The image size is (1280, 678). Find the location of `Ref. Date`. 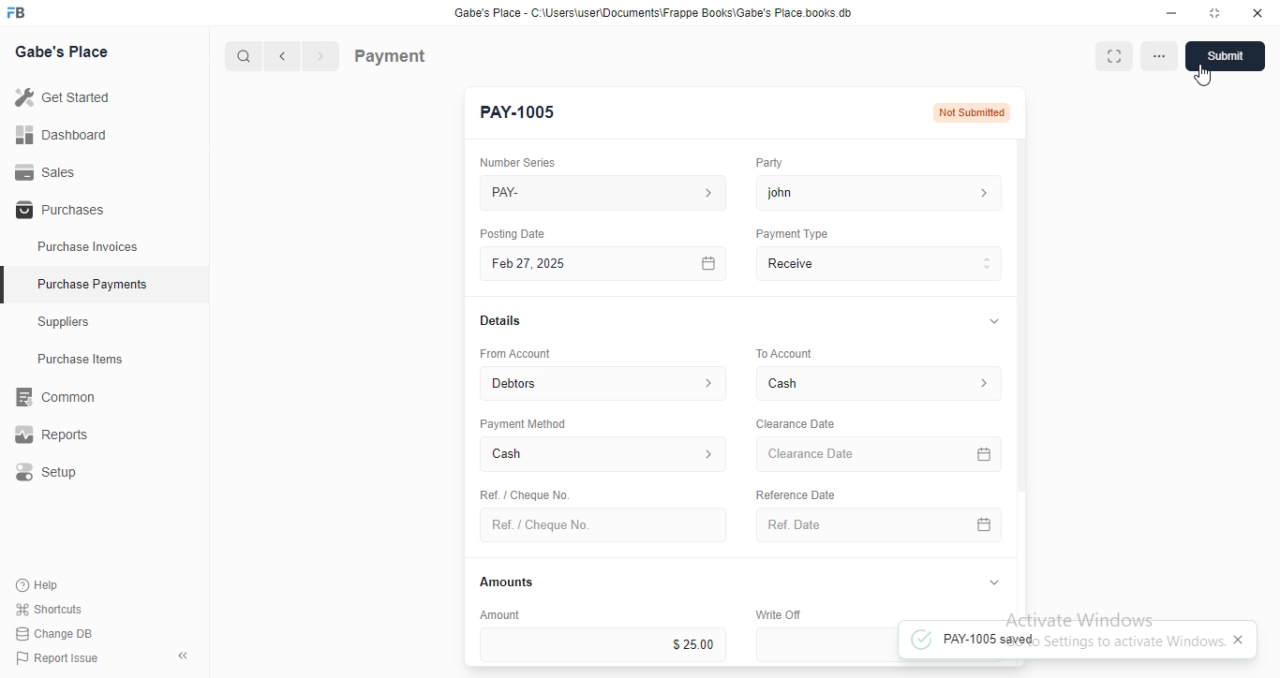

Ref. Date is located at coordinates (879, 525).